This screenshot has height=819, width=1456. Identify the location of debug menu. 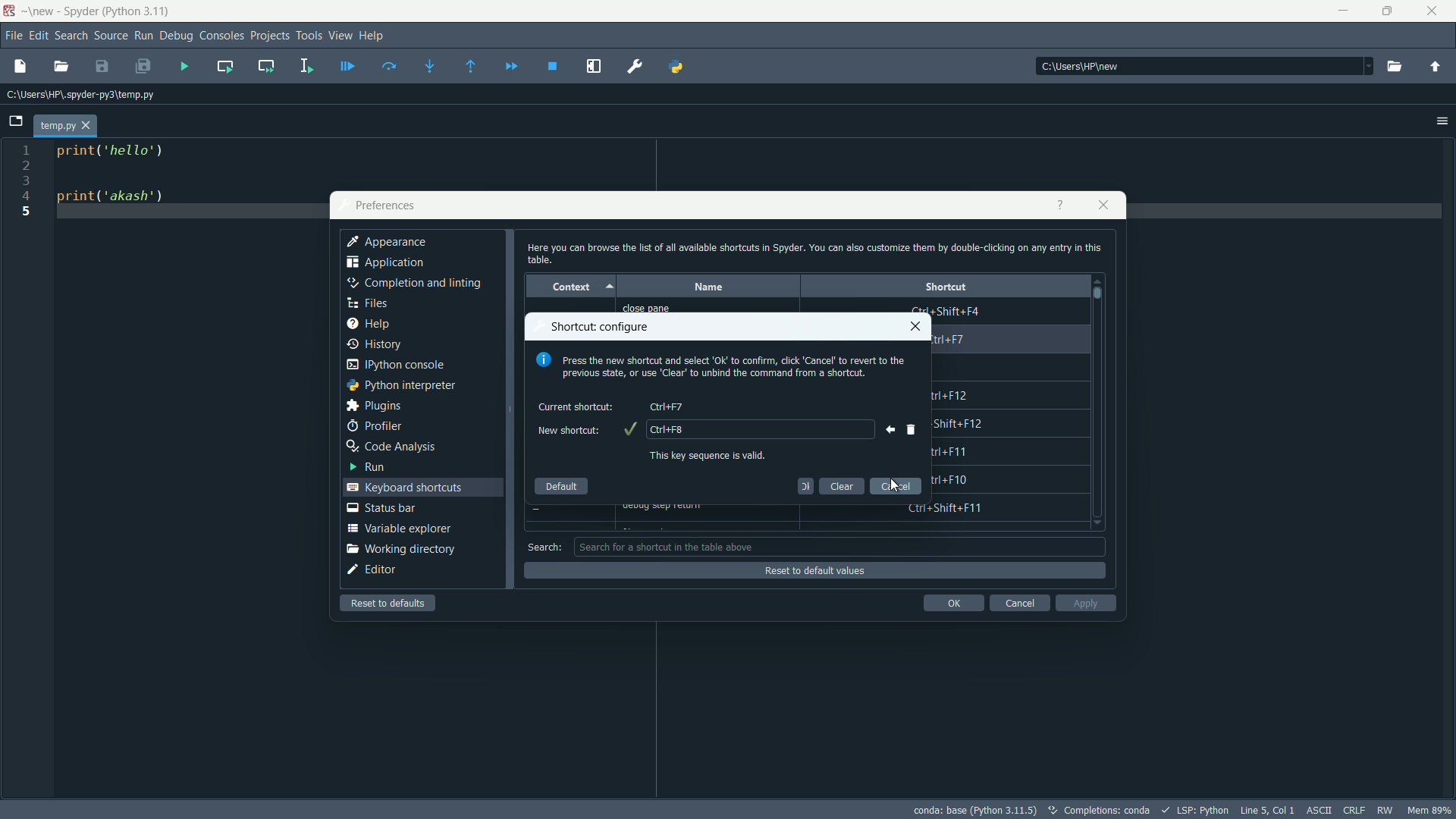
(177, 36).